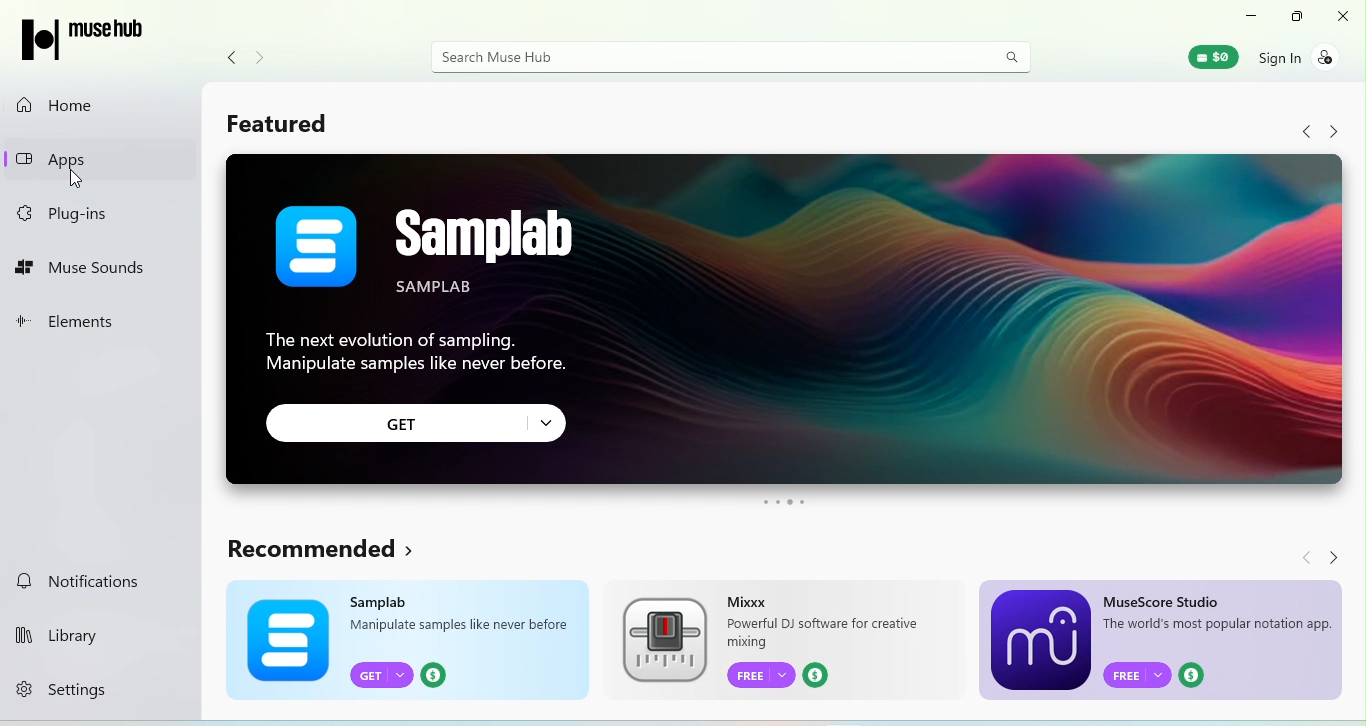  I want to click on Mixx, so click(750, 600).